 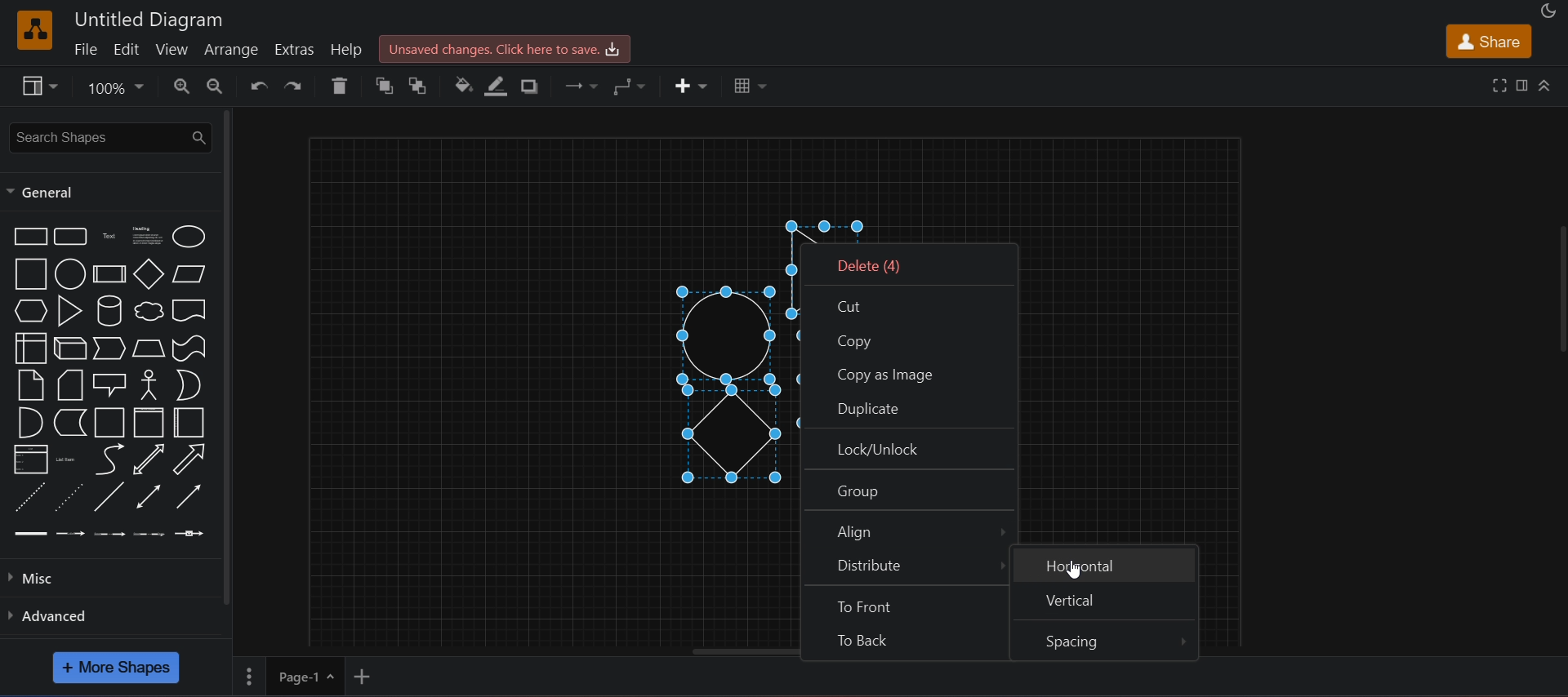 I want to click on to back, so click(x=903, y=642).